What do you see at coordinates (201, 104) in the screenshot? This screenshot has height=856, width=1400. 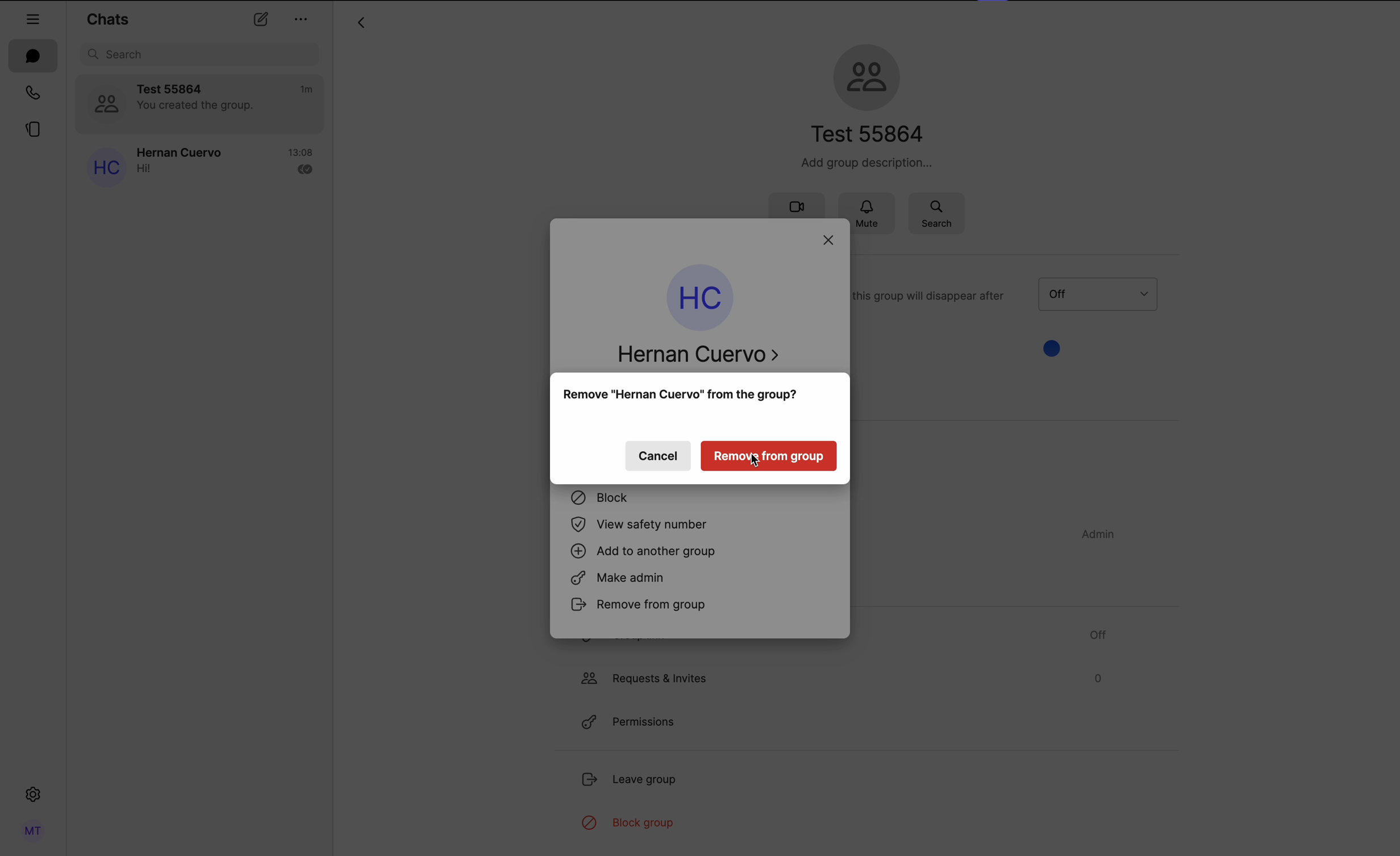 I see `Test 55864 group` at bounding box center [201, 104].